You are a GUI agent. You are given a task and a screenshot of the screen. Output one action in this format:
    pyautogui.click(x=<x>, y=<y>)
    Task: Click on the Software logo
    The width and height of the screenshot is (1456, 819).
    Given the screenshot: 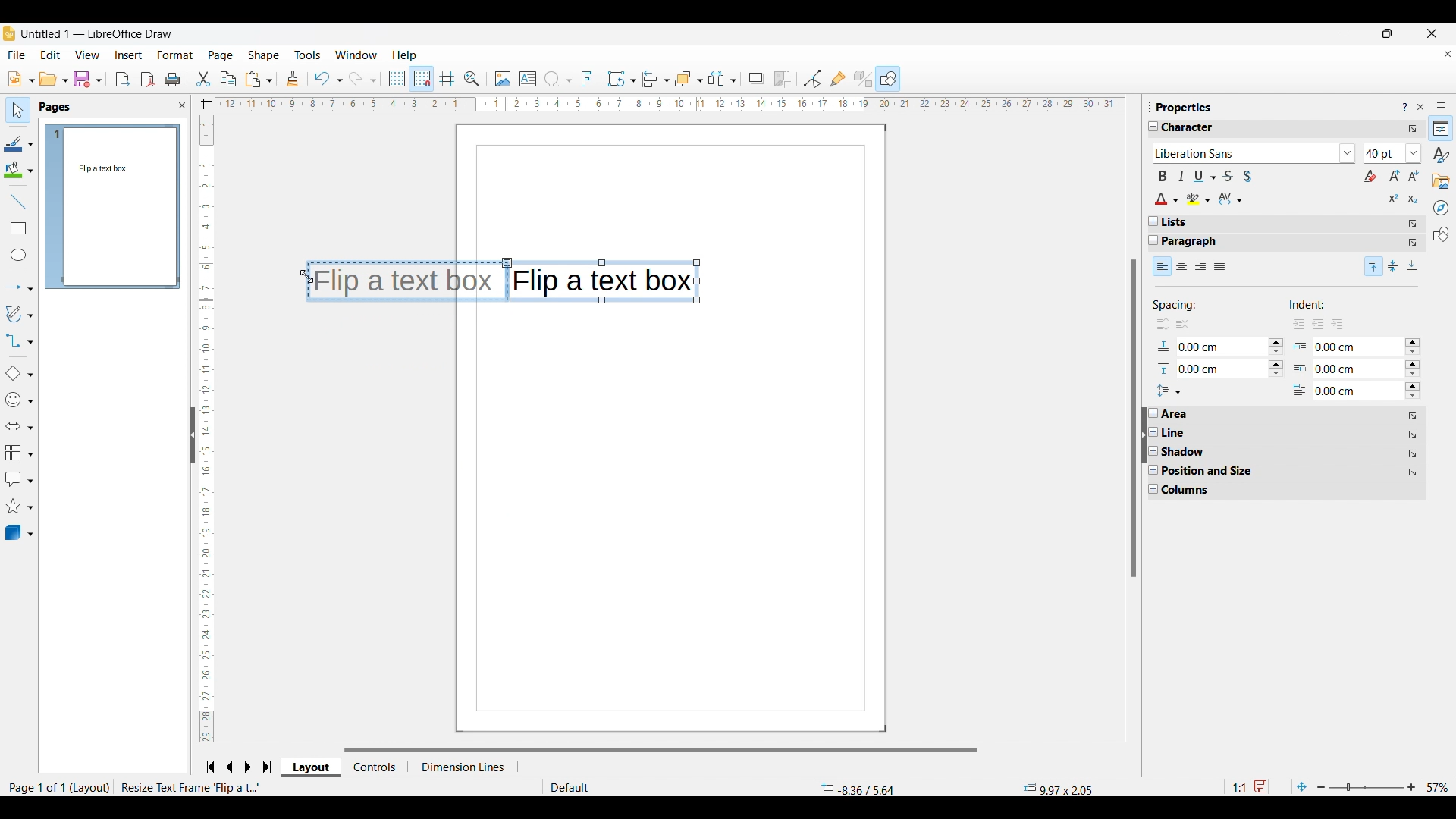 What is the action you would take?
    pyautogui.click(x=9, y=33)
    